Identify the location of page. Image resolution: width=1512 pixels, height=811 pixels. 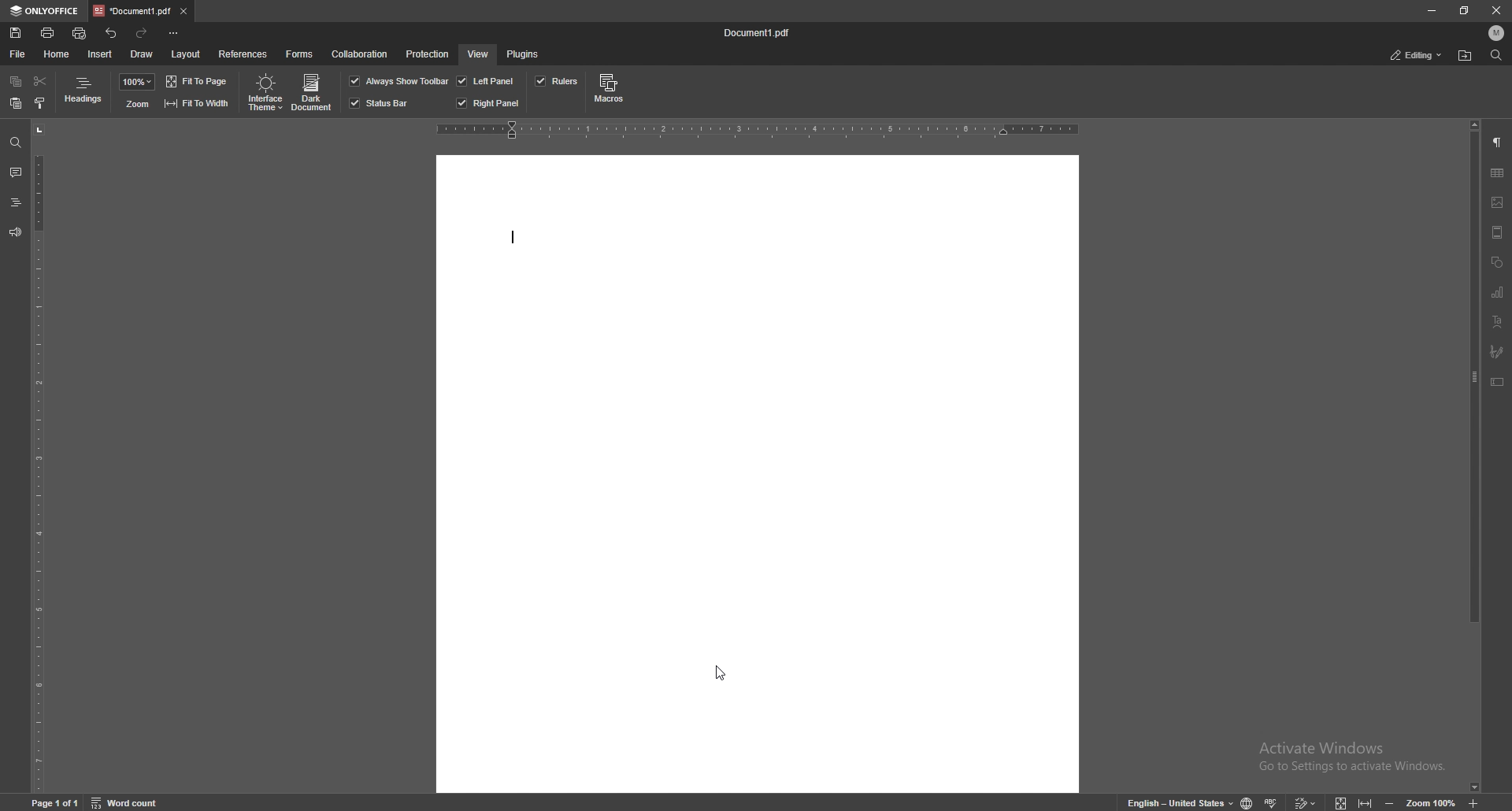
(57, 802).